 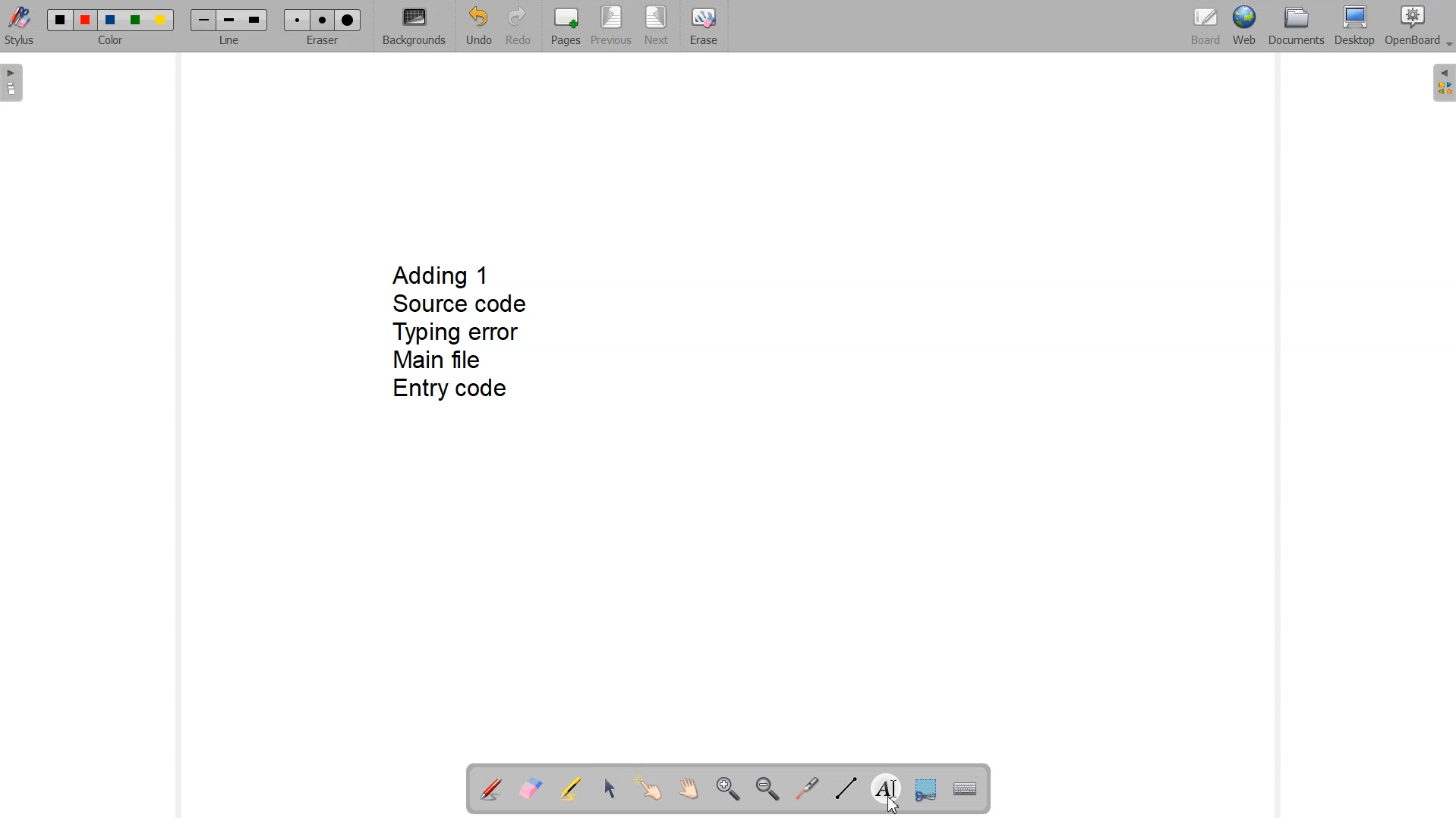 What do you see at coordinates (650, 790) in the screenshot?
I see `Interact with items` at bounding box center [650, 790].